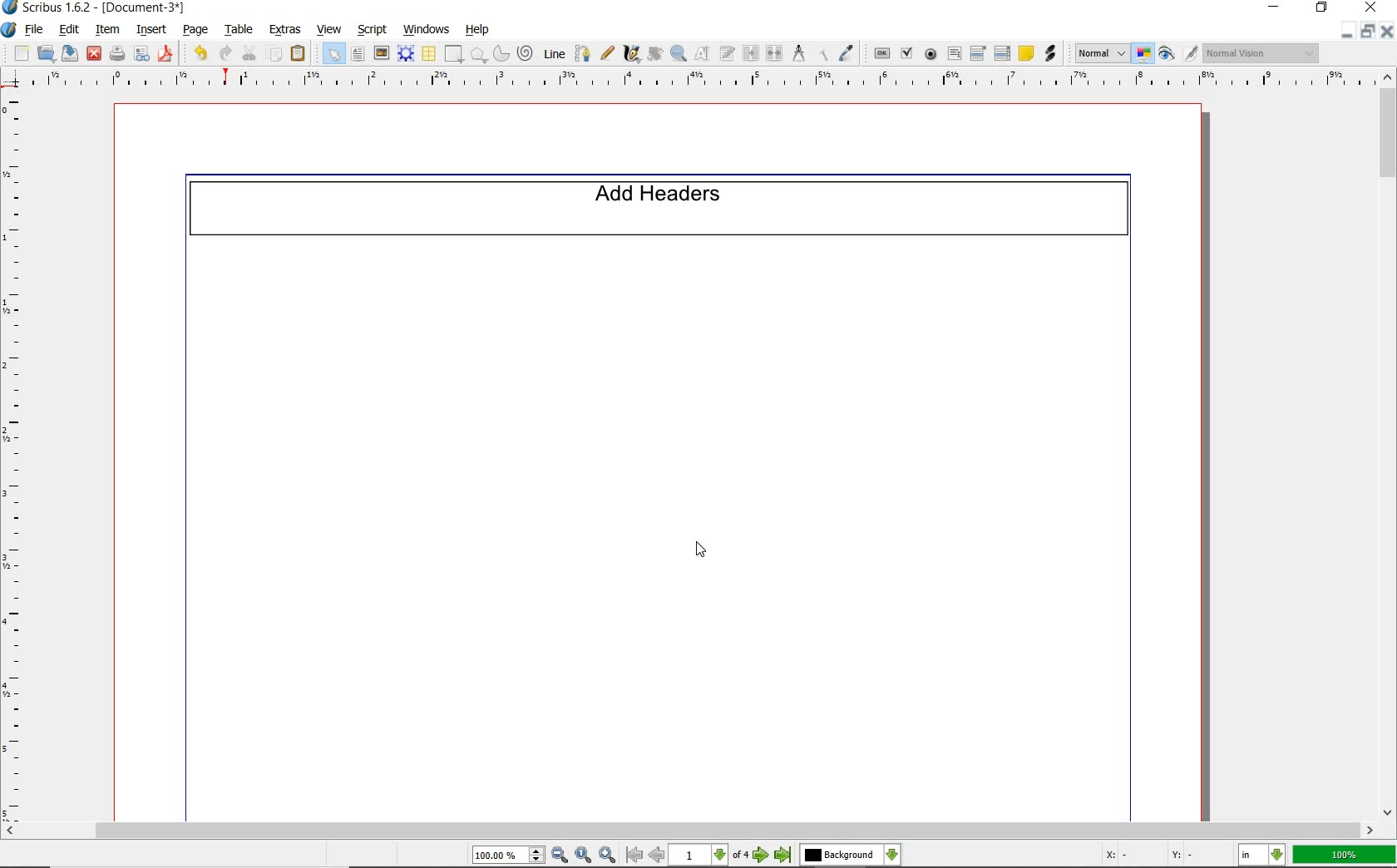 The width and height of the screenshot is (1397, 868). Describe the element at coordinates (1101, 200) in the screenshot. I see `1` at that location.